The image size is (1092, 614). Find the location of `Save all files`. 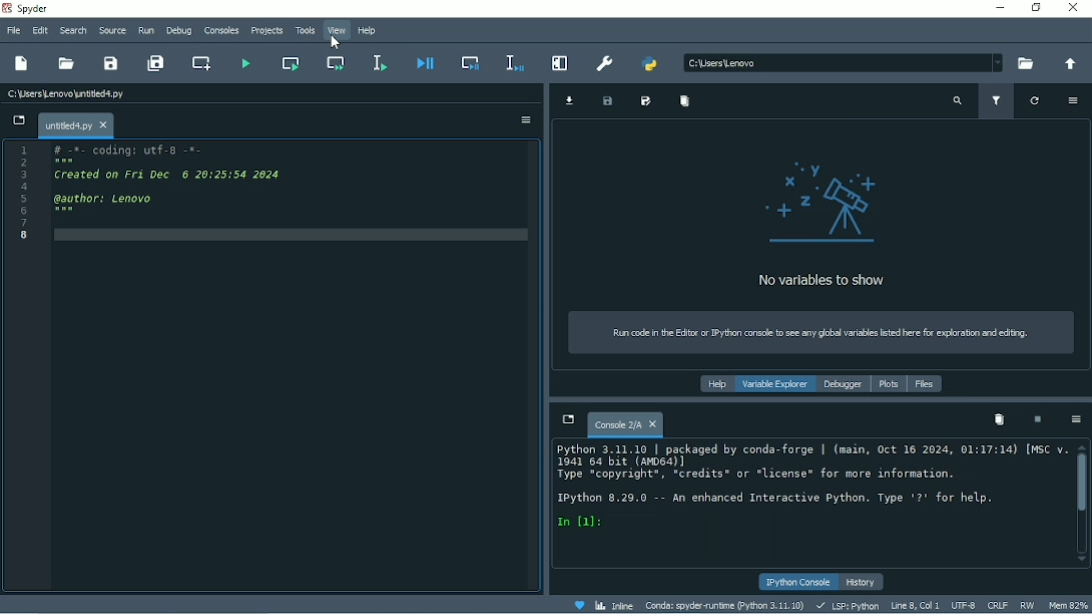

Save all files is located at coordinates (159, 63).